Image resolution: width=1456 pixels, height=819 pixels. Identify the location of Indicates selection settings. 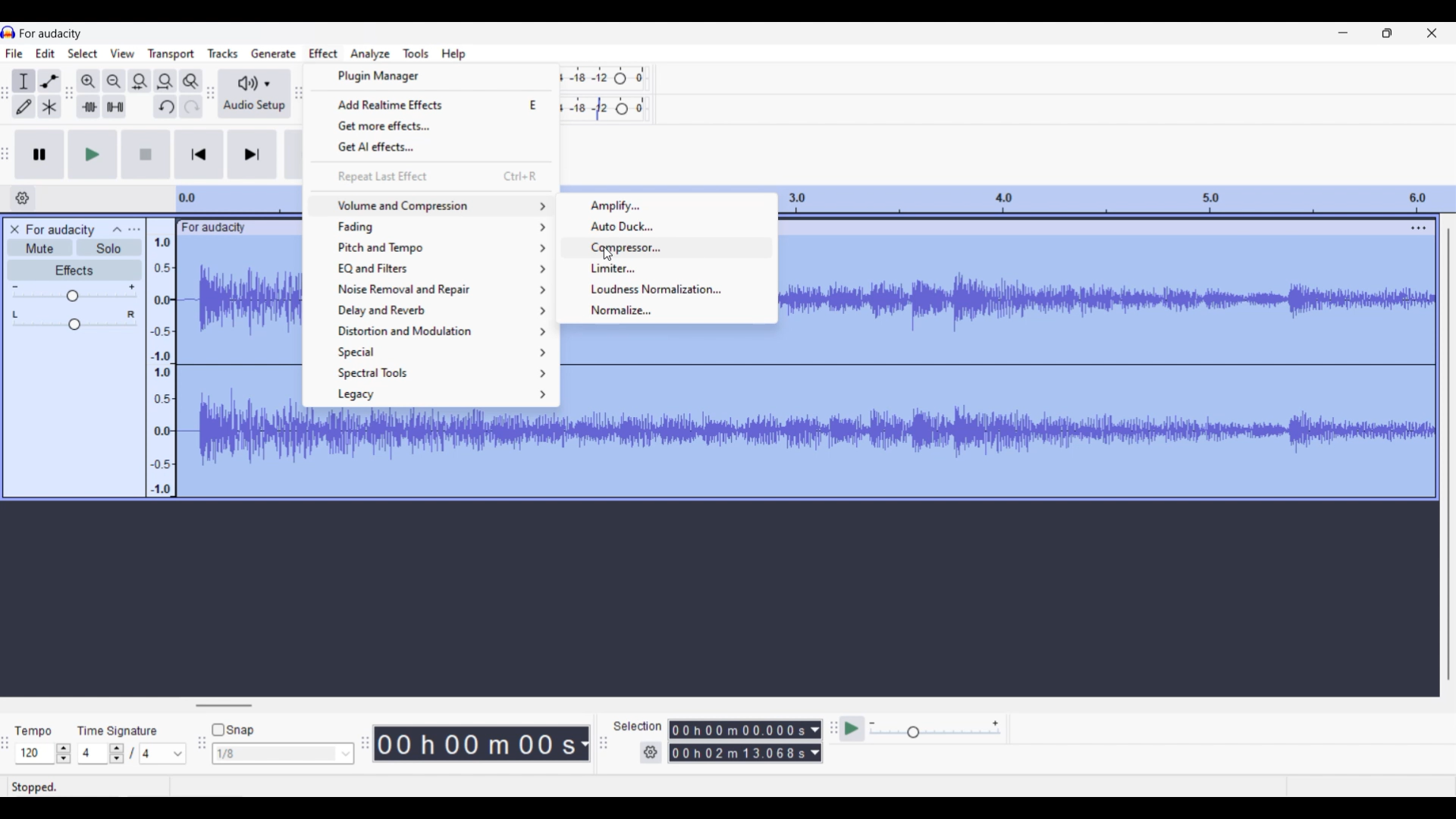
(637, 725).